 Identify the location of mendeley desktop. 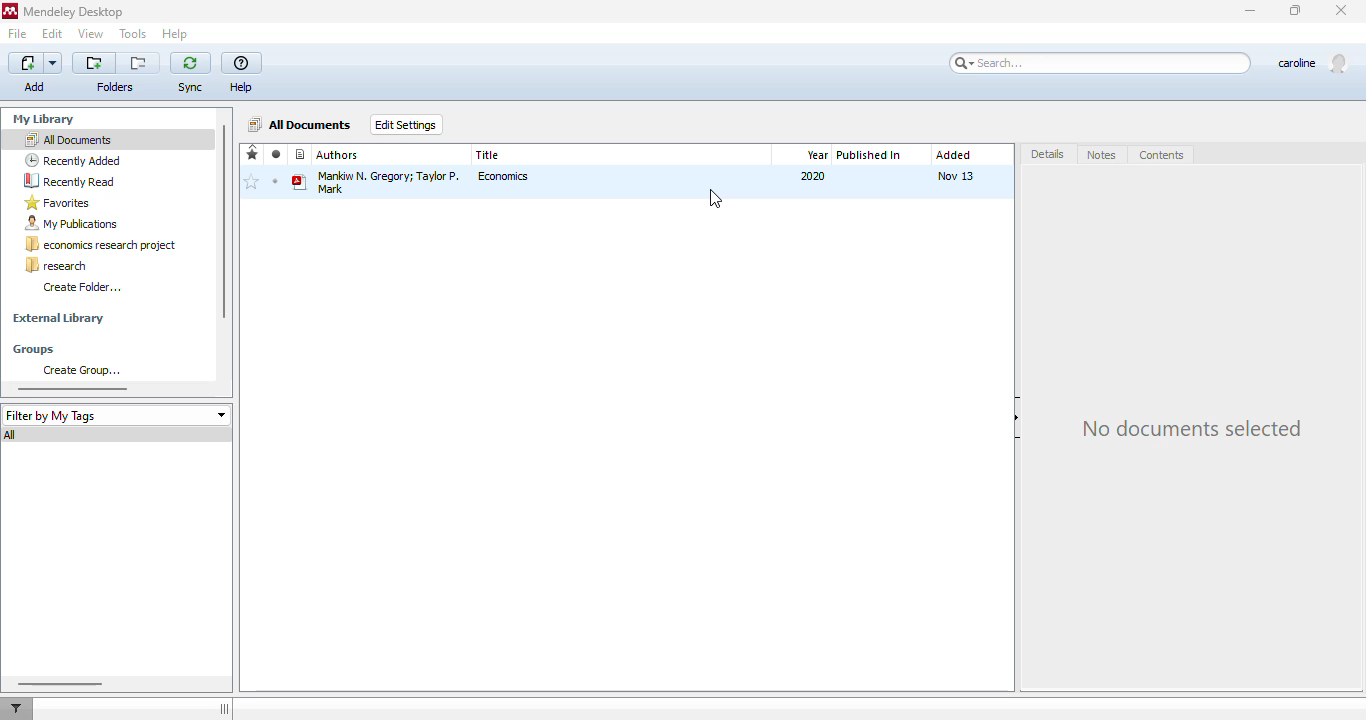
(74, 12).